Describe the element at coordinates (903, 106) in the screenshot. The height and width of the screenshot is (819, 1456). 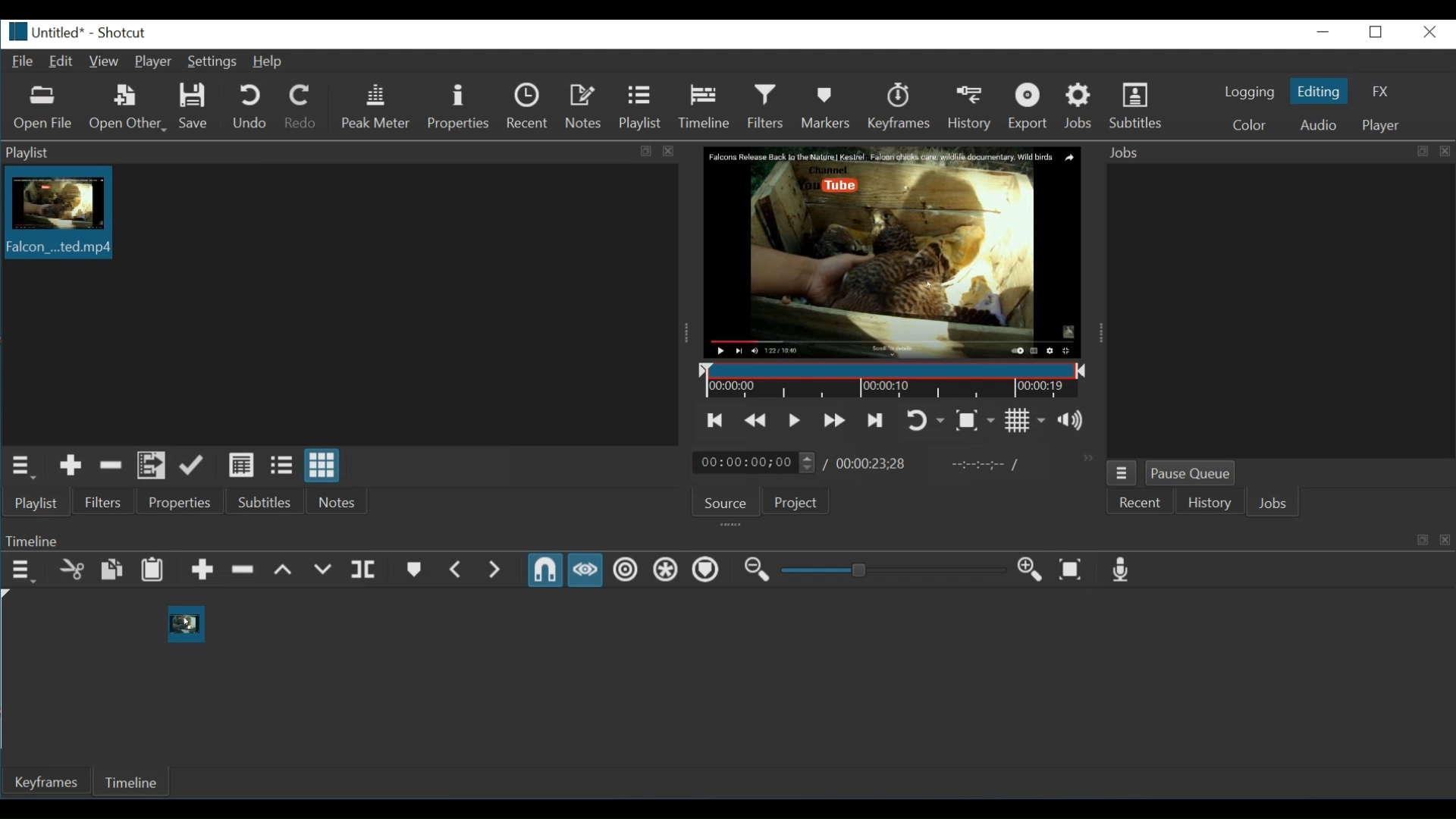
I see `Keyframes` at that location.